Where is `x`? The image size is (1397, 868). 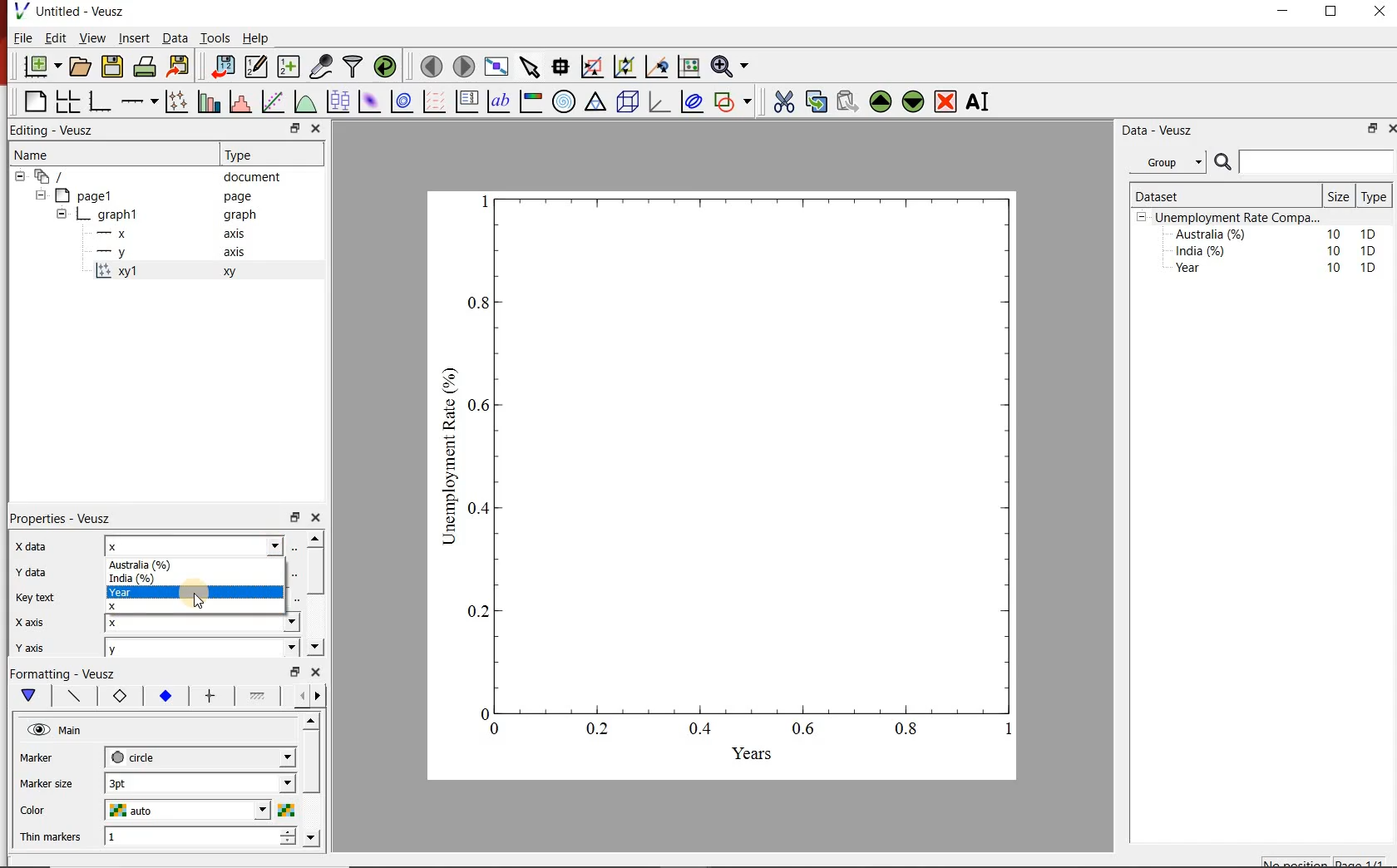 x is located at coordinates (197, 545).